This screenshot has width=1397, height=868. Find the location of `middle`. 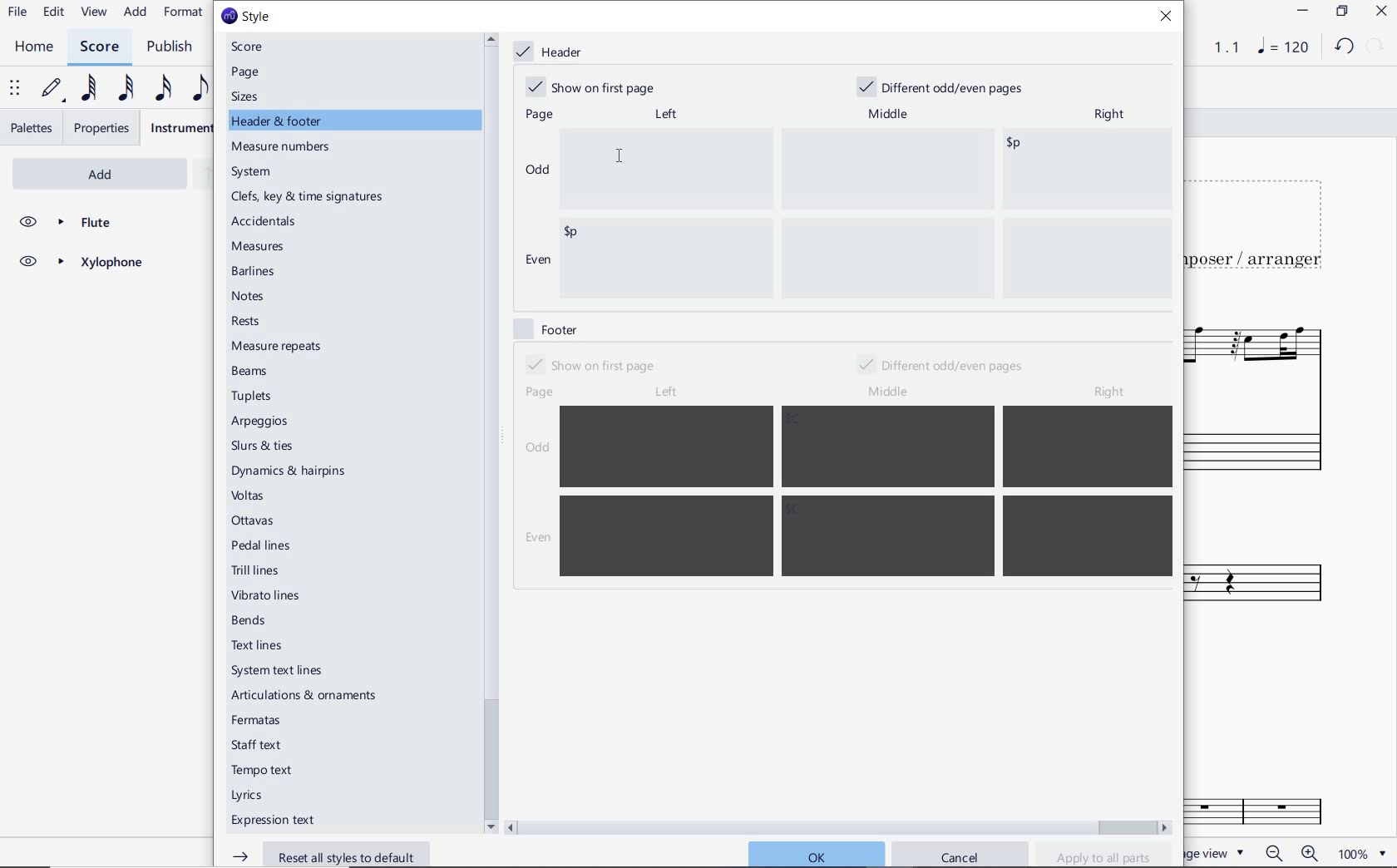

middle is located at coordinates (891, 392).